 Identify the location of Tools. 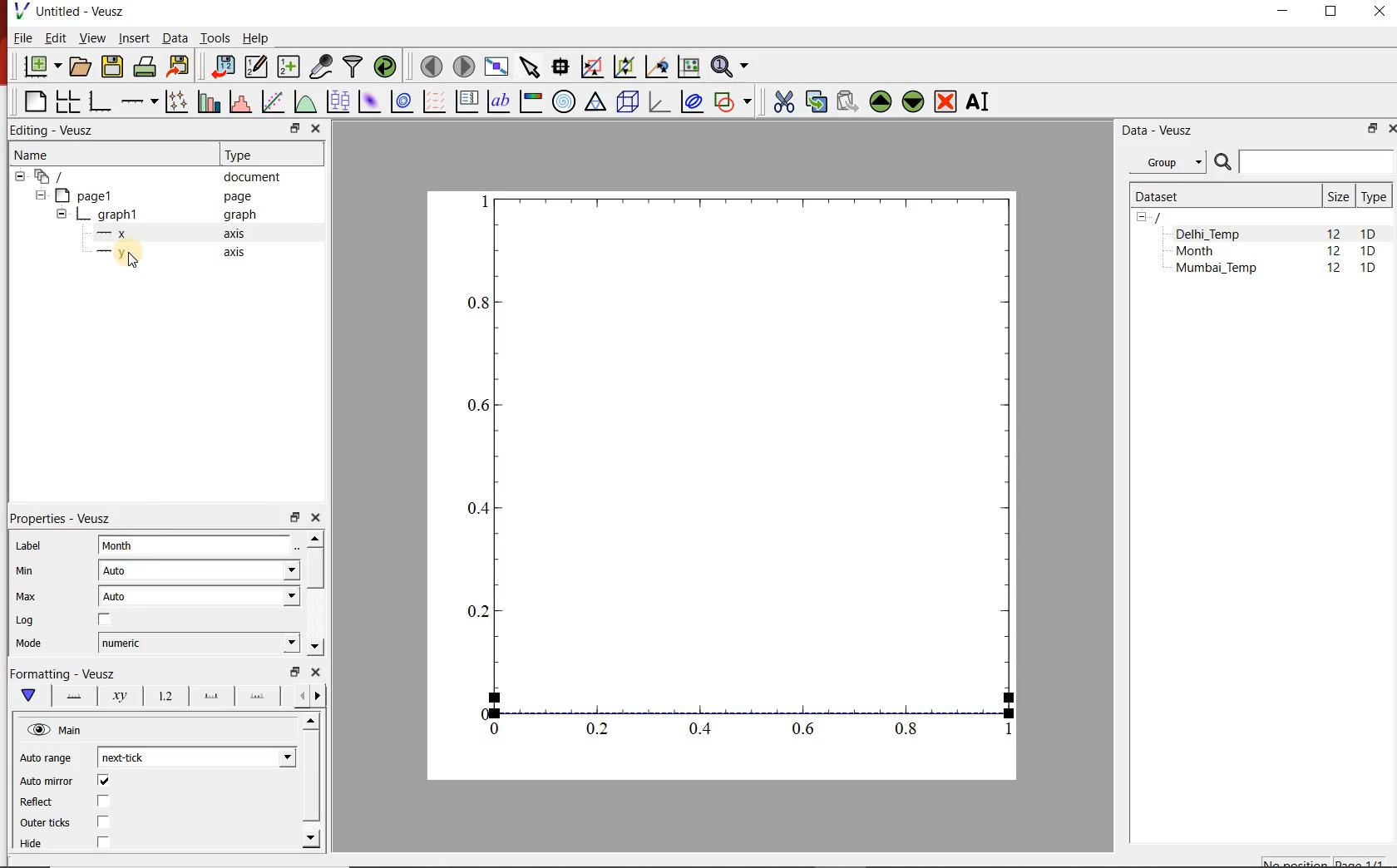
(216, 38).